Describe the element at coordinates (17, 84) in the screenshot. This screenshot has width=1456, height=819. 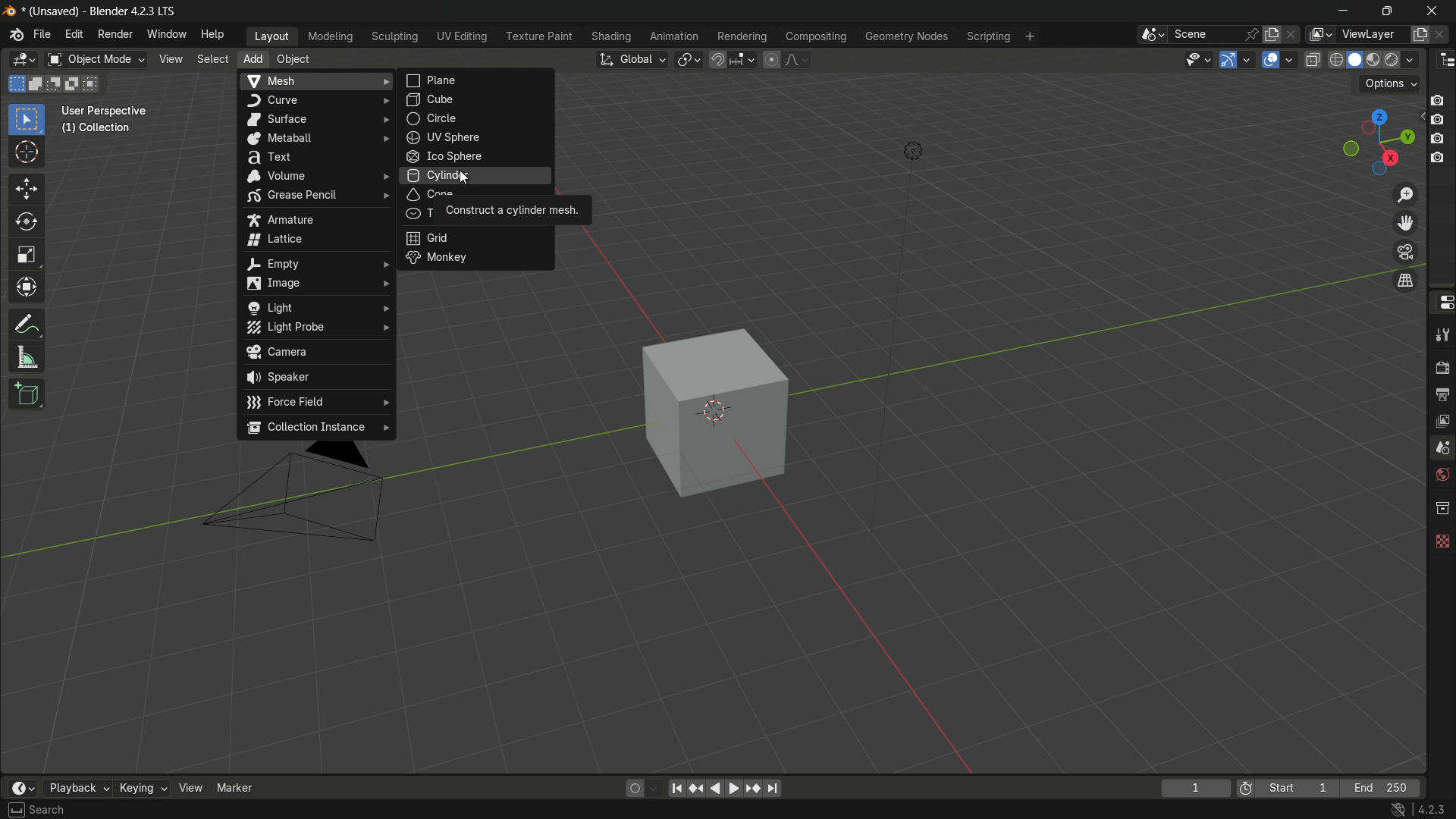
I see `new selection` at that location.